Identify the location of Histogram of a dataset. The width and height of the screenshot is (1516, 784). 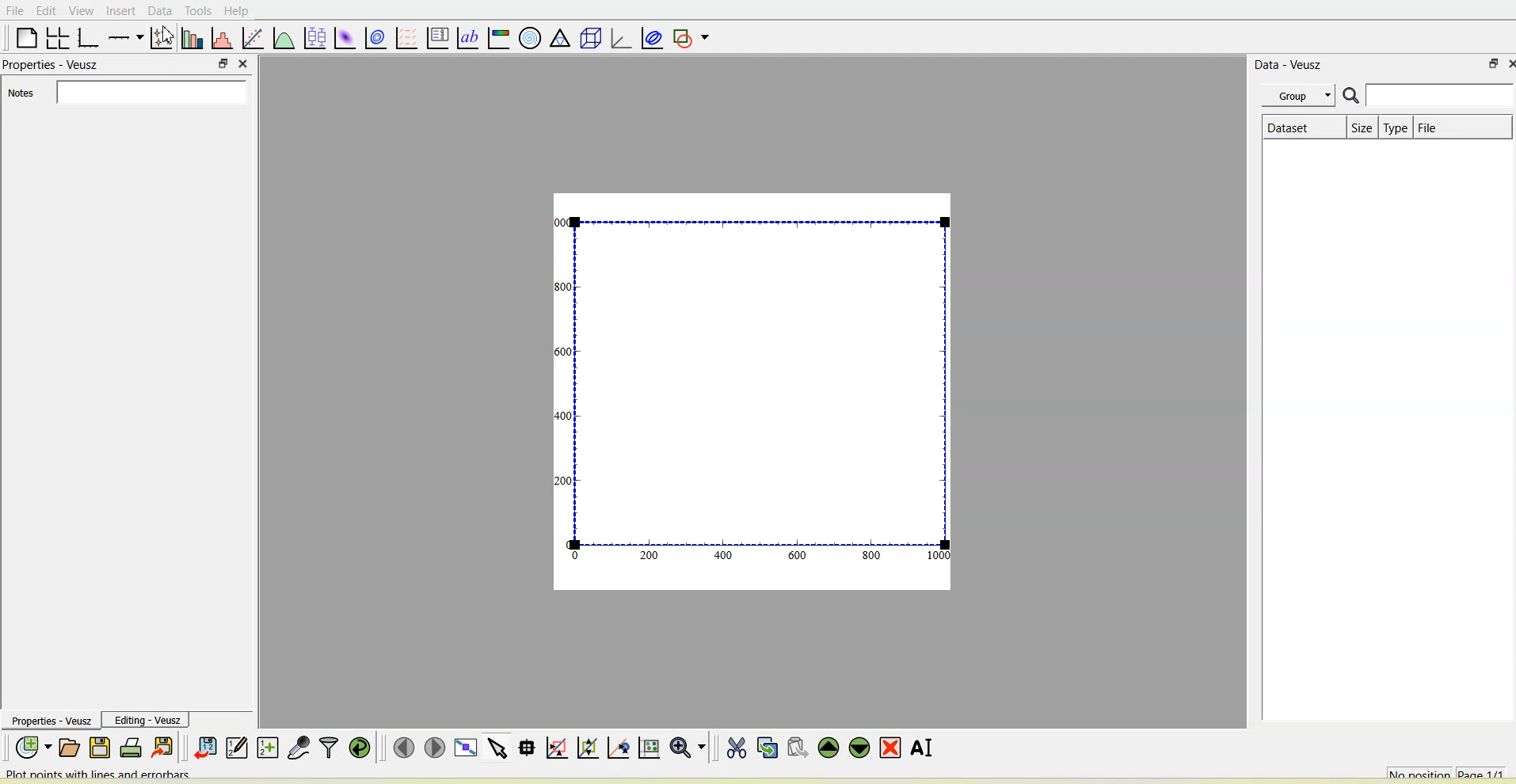
(222, 39).